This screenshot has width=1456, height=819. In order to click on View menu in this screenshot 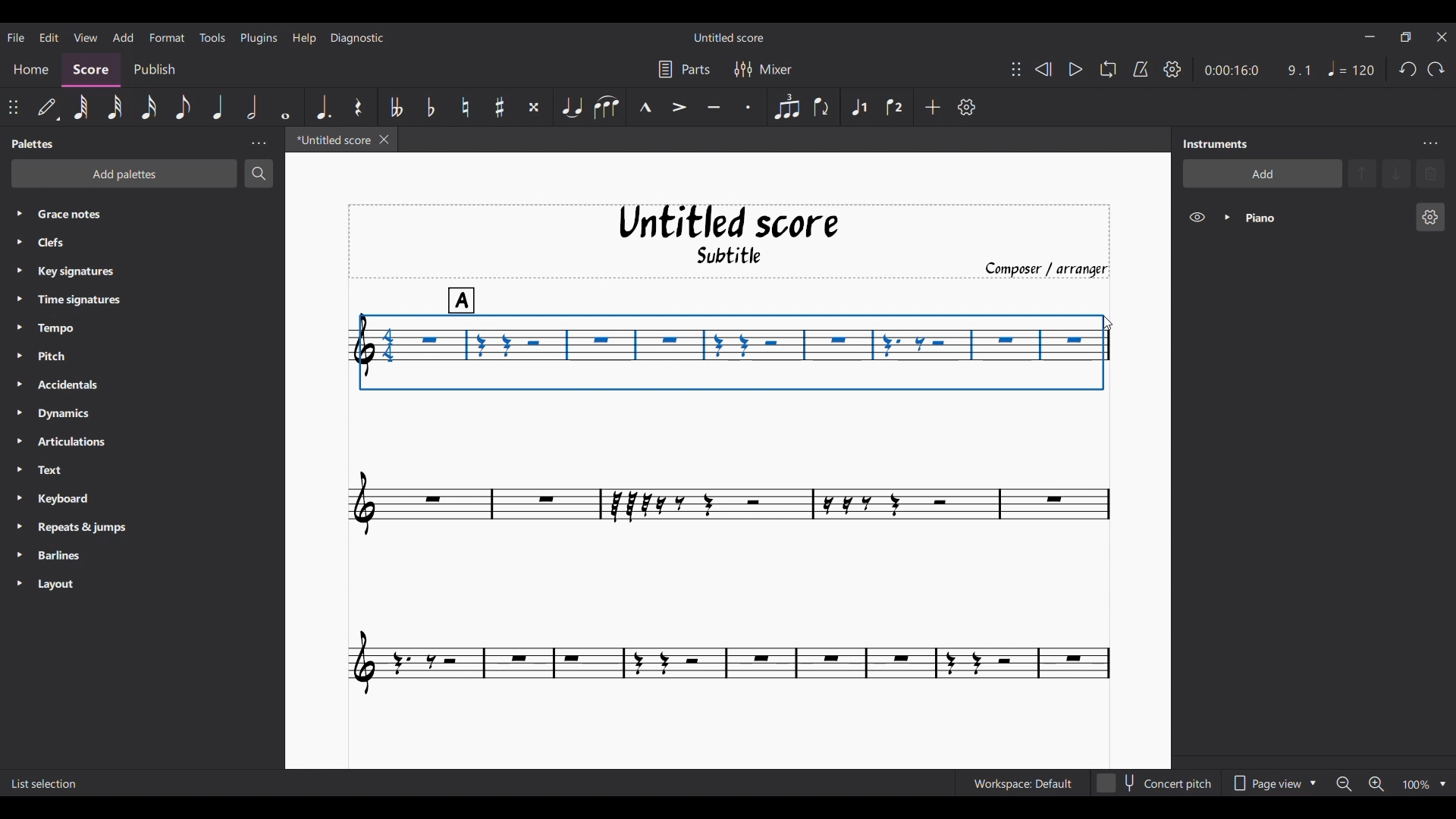, I will do `click(84, 36)`.